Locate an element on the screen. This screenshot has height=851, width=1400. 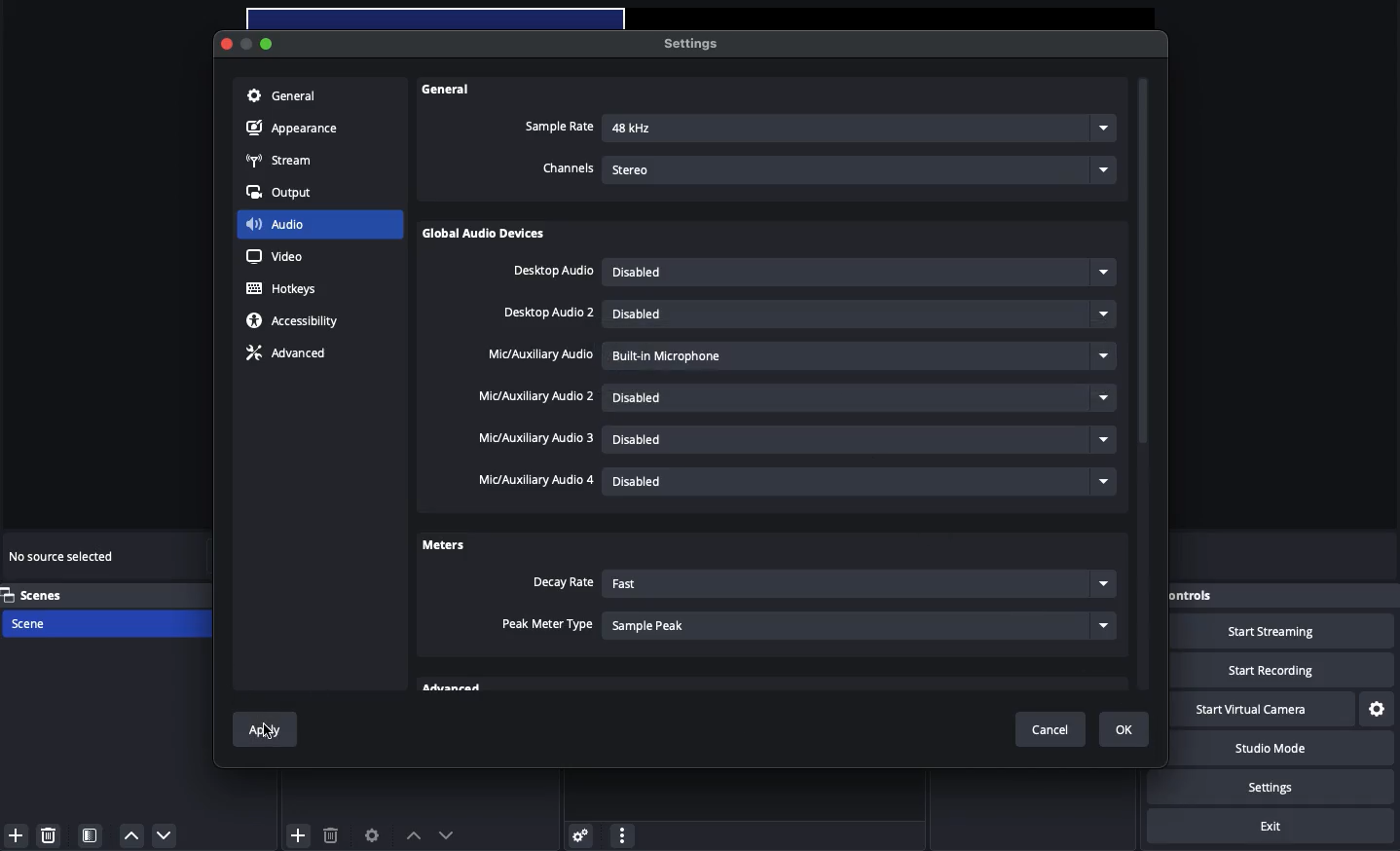
Scroll is located at coordinates (1144, 387).